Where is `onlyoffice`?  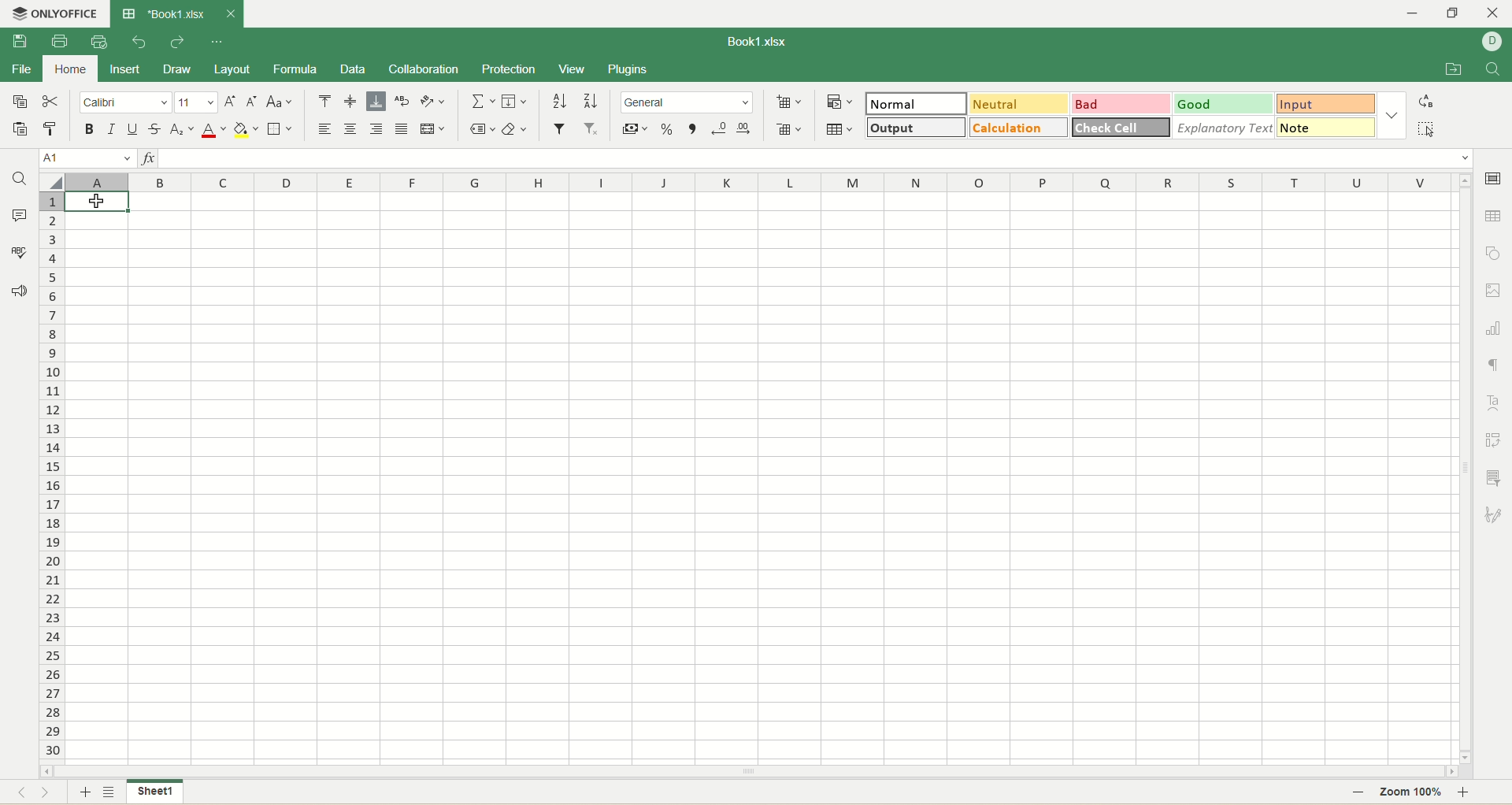 onlyoffice is located at coordinates (55, 14).